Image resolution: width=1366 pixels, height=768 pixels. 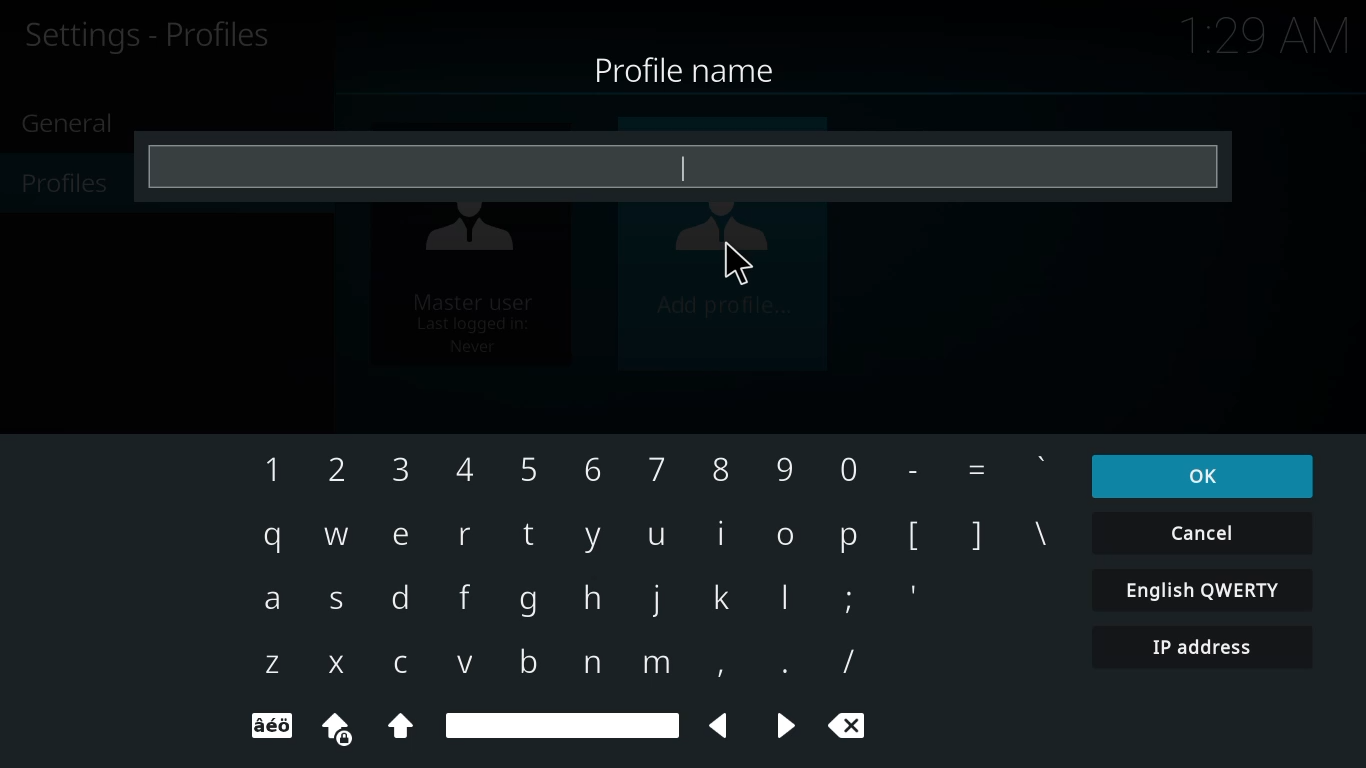 I want to click on x, so click(x=337, y=666).